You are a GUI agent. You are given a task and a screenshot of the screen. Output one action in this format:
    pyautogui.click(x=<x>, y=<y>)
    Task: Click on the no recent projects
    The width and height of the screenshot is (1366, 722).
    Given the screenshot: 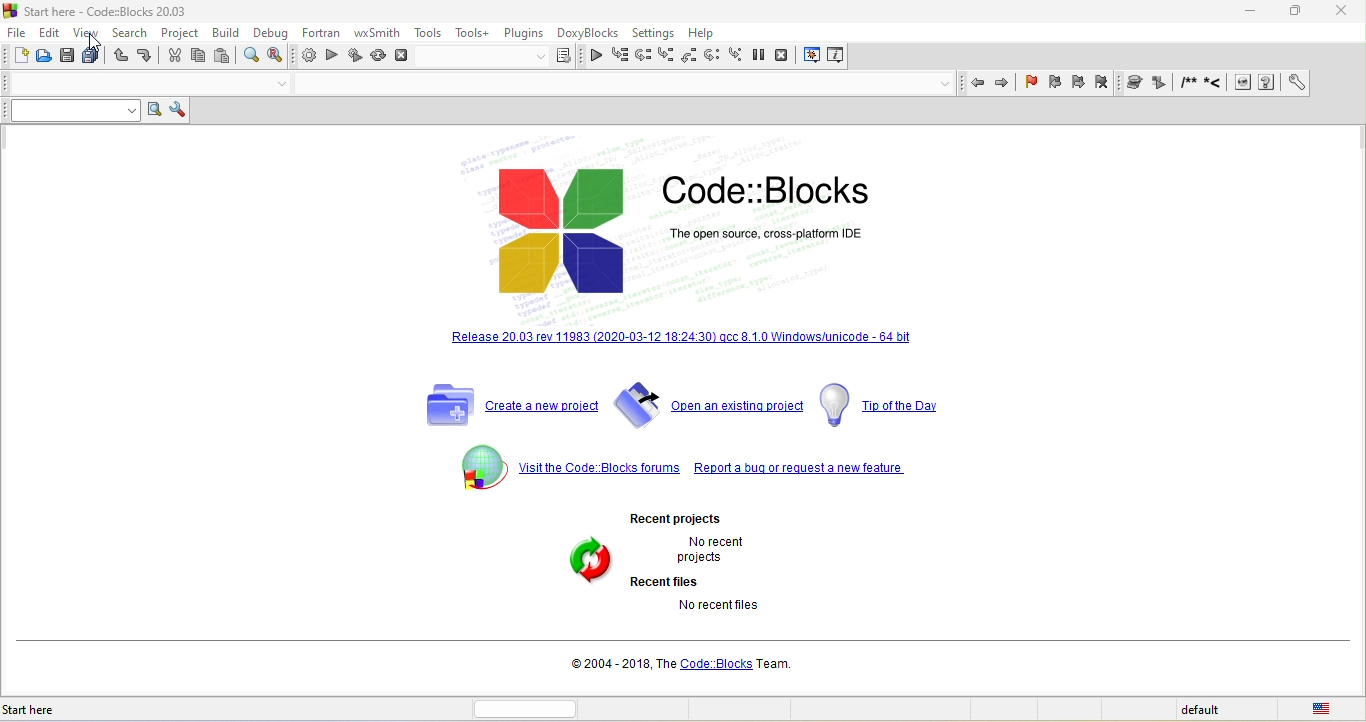 What is the action you would take?
    pyautogui.click(x=706, y=551)
    